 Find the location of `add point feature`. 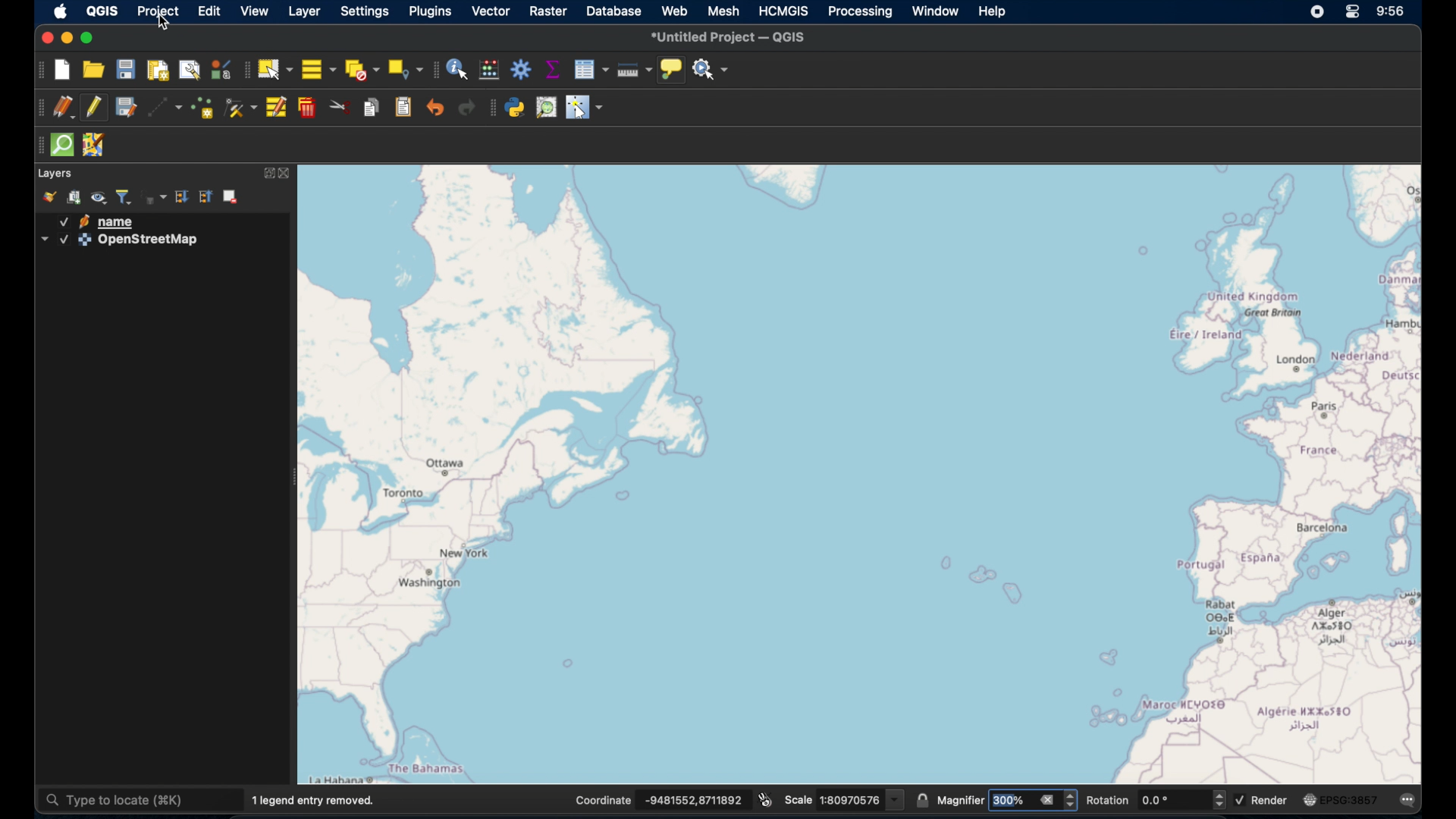

add point feature is located at coordinates (202, 108).